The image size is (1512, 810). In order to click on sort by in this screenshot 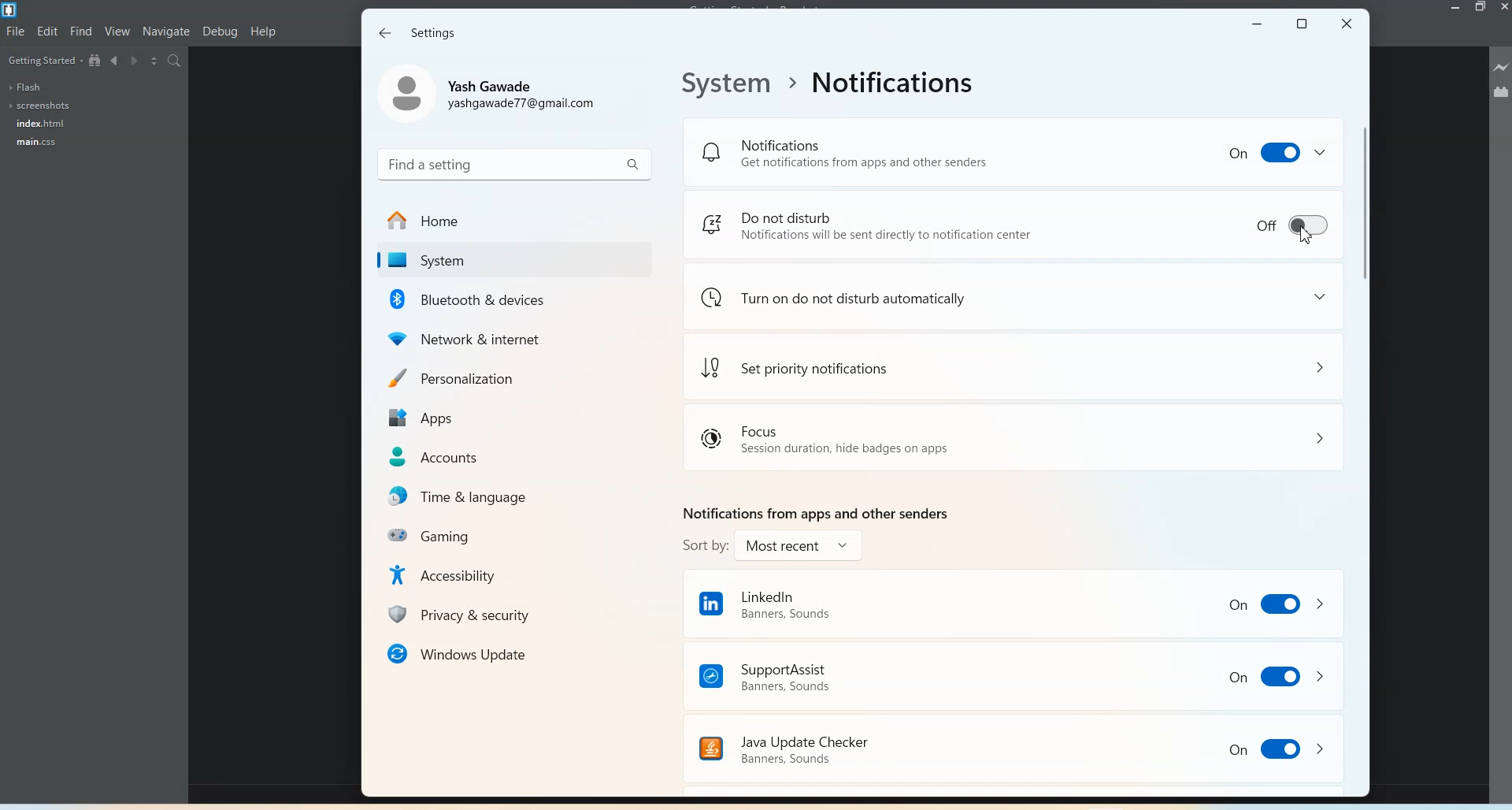, I will do `click(772, 546)`.